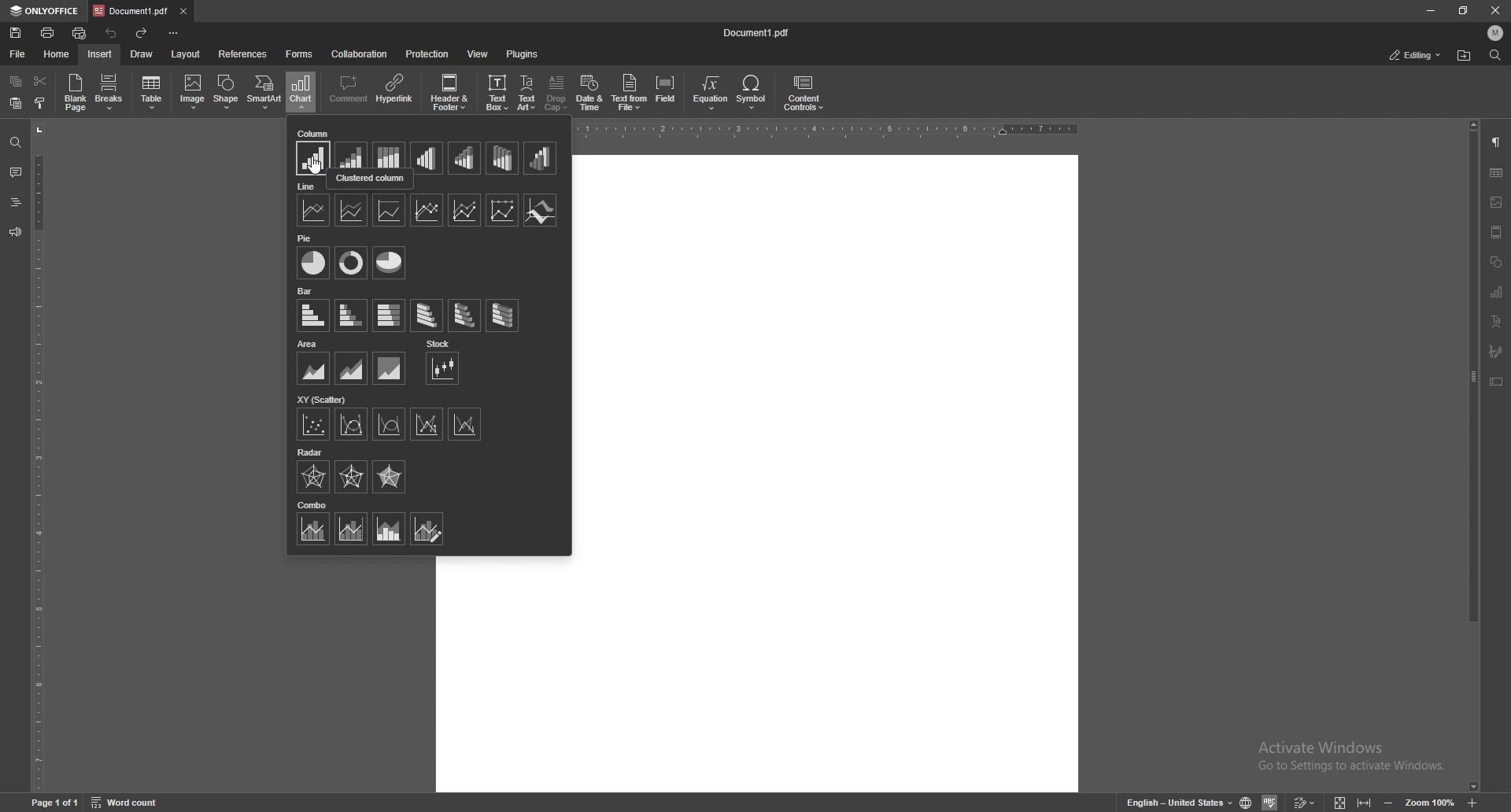 This screenshot has width=1511, height=812. I want to click on file, so click(18, 54).